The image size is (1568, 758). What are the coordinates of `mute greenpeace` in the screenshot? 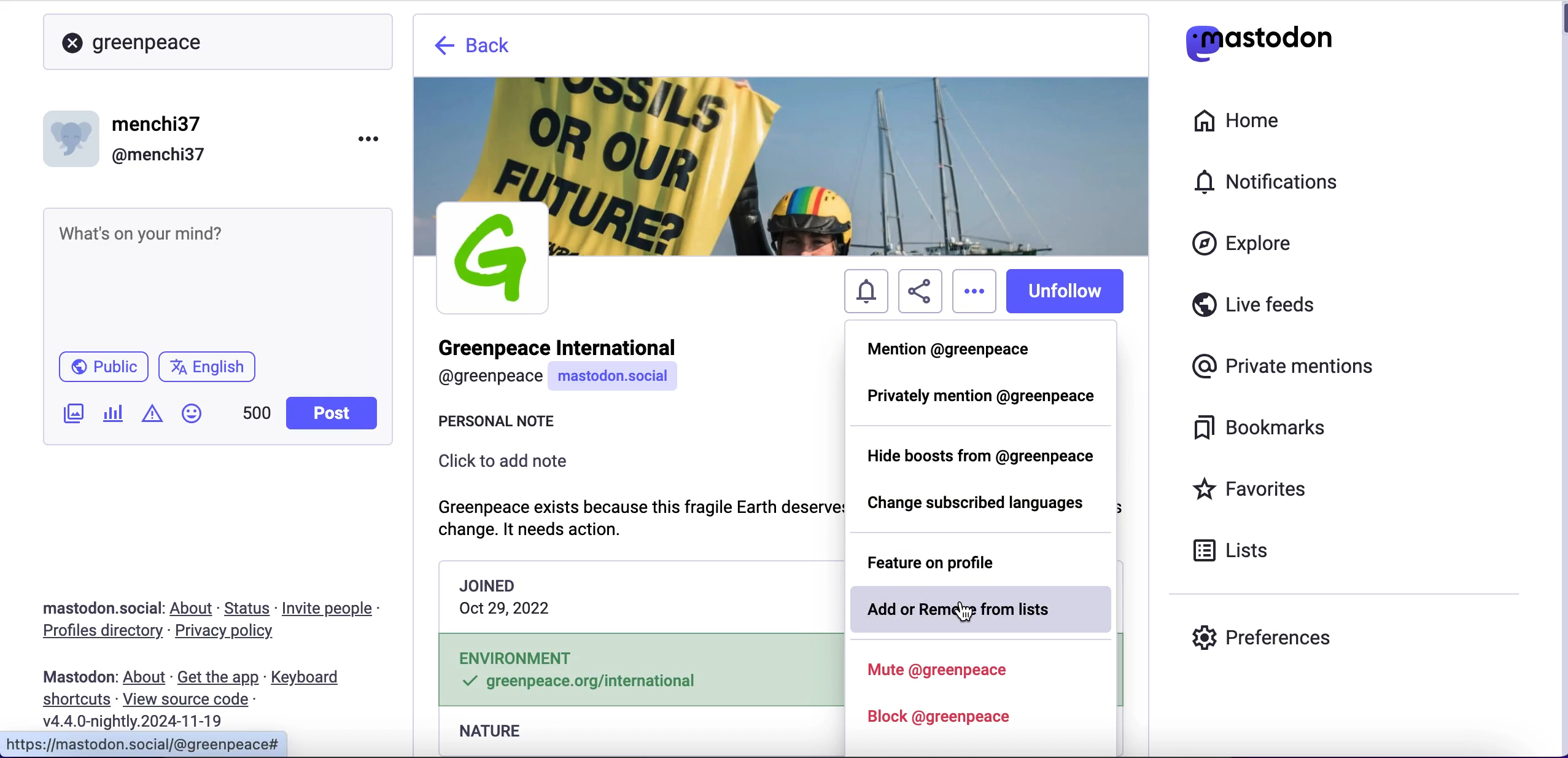 It's located at (940, 670).